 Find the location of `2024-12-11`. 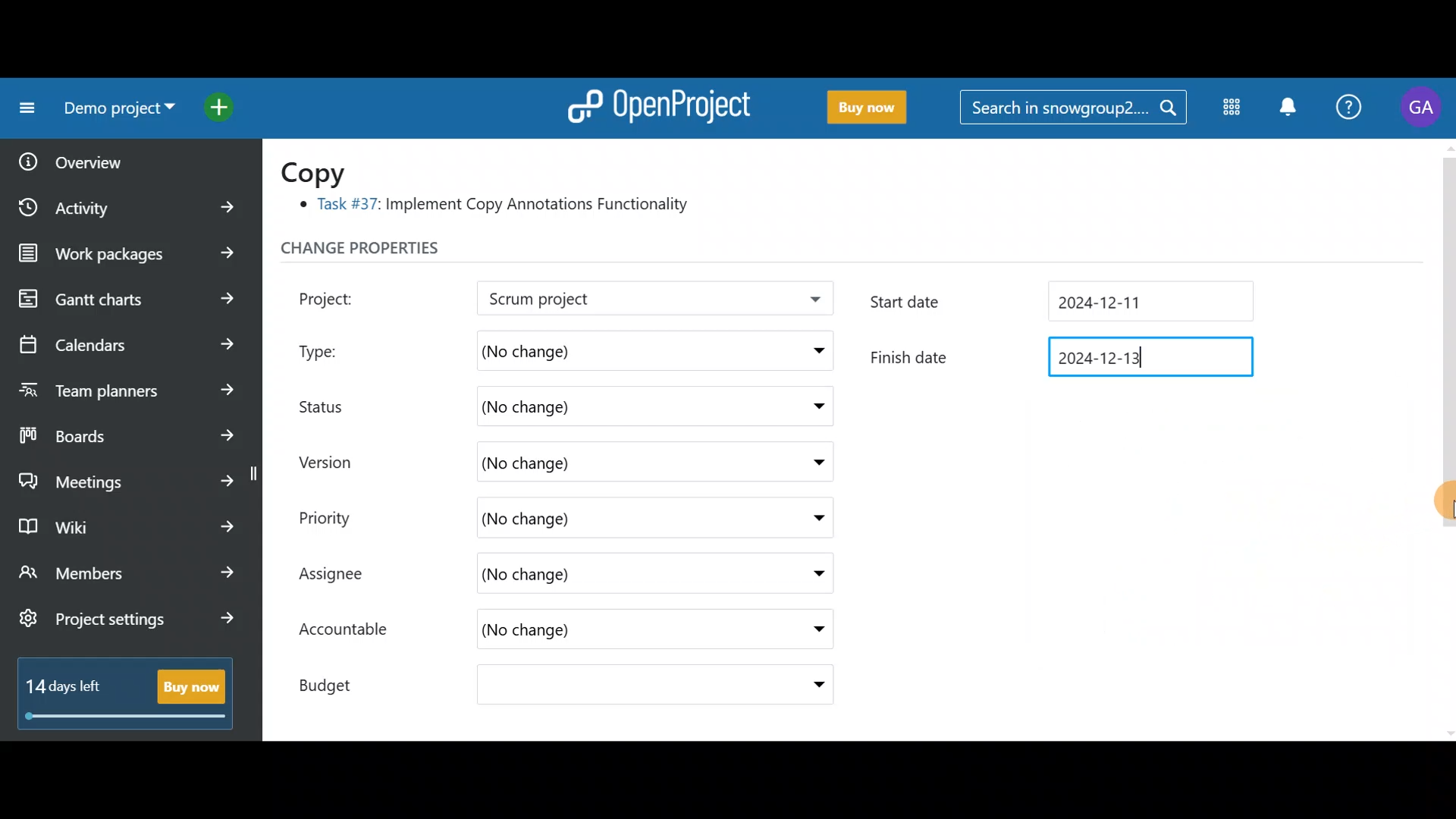

2024-12-11 is located at coordinates (1150, 299).